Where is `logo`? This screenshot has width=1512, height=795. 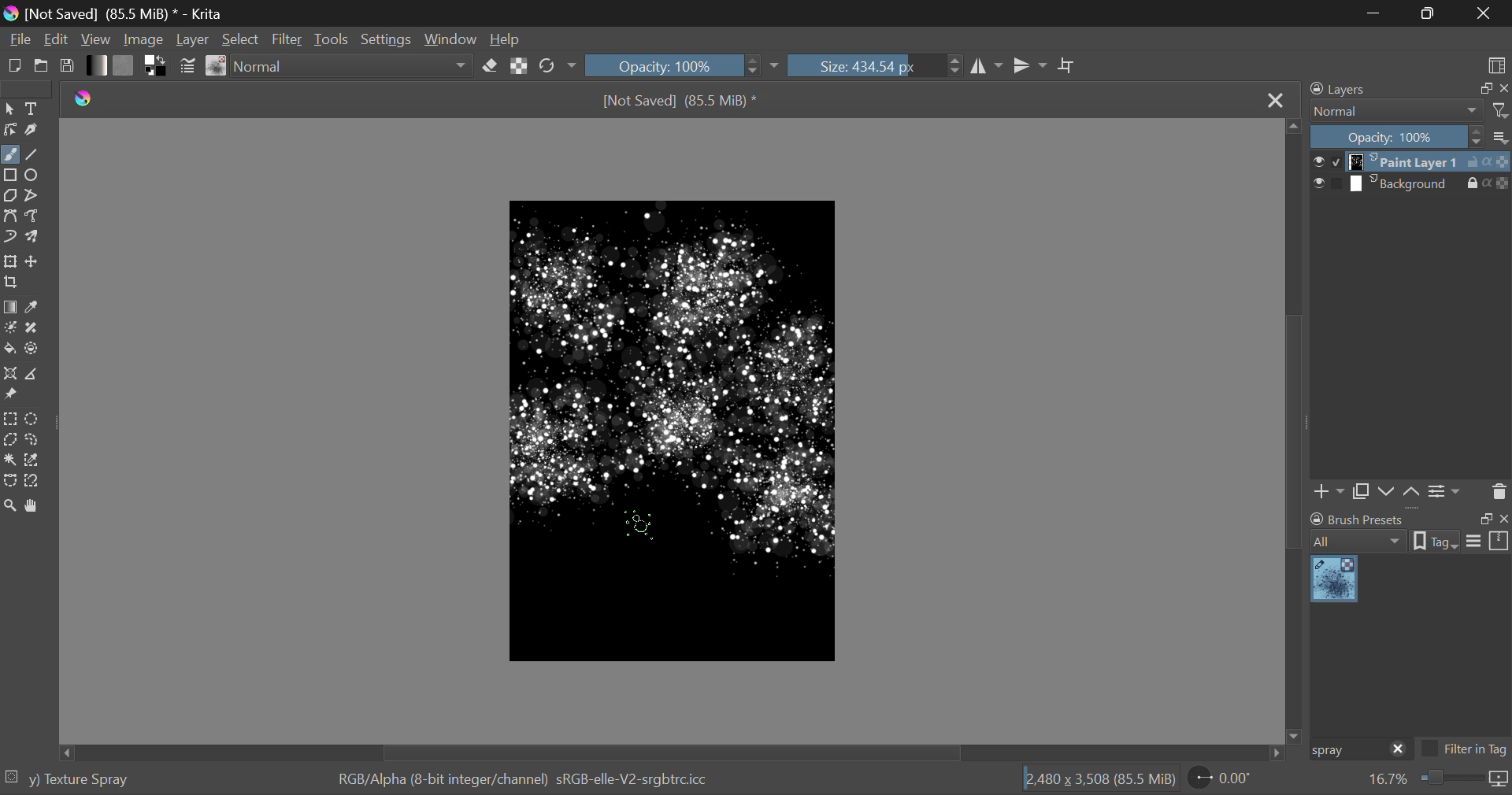 logo is located at coordinates (84, 99).